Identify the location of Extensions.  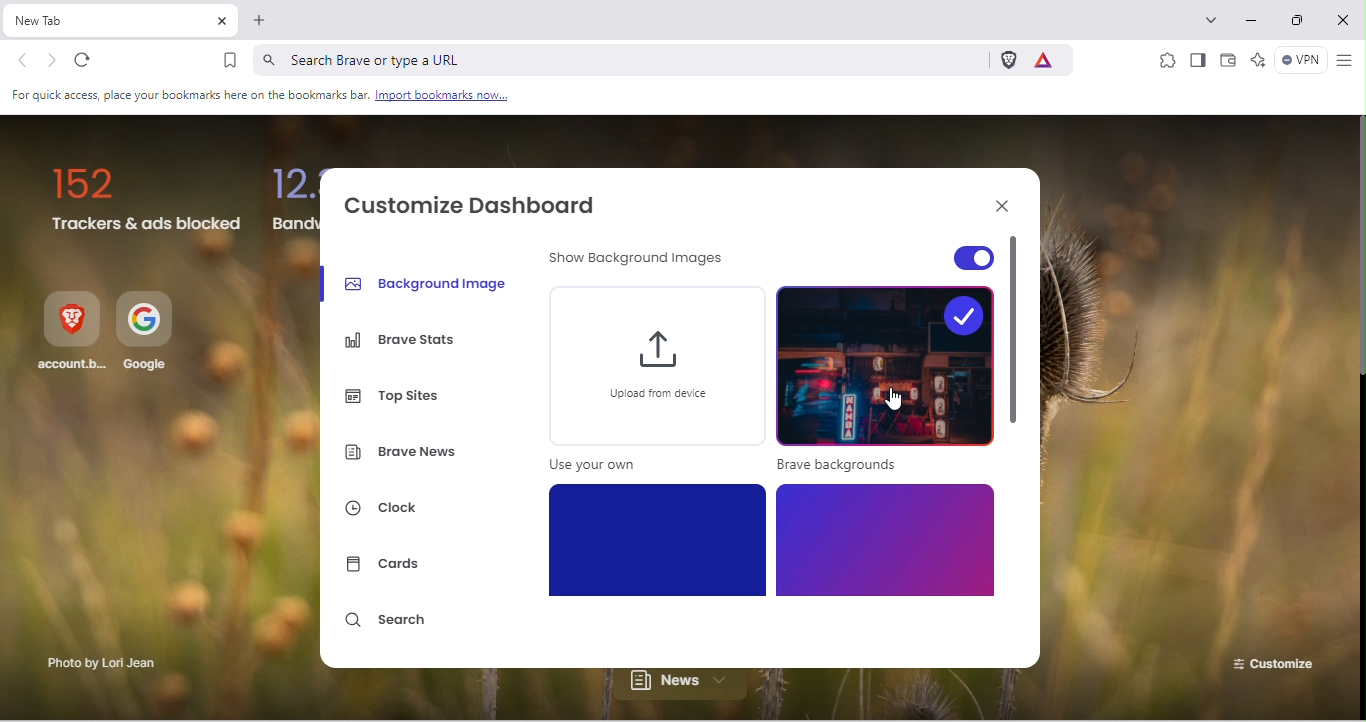
(1166, 59).